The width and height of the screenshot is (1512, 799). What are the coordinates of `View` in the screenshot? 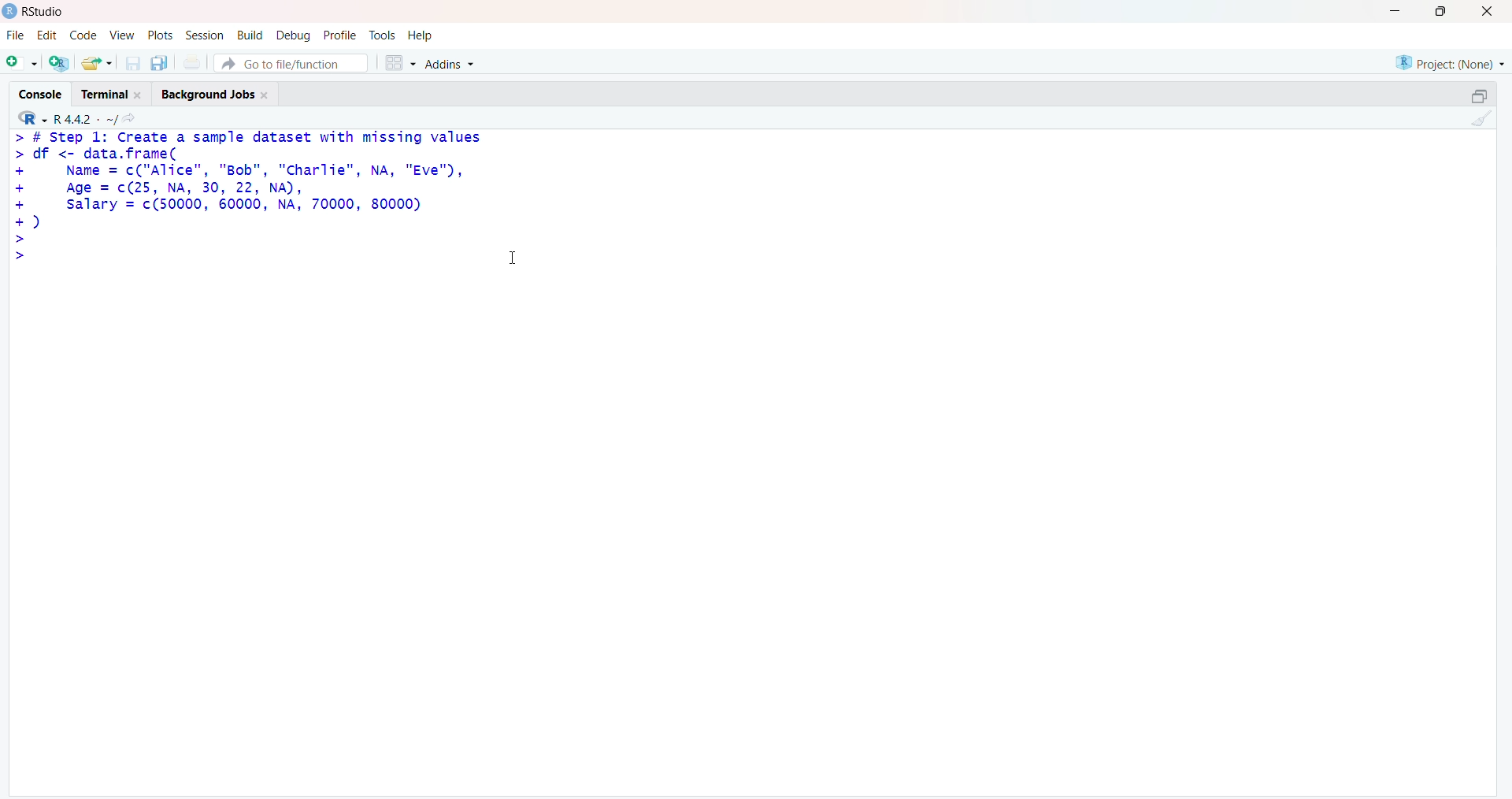 It's located at (121, 36).